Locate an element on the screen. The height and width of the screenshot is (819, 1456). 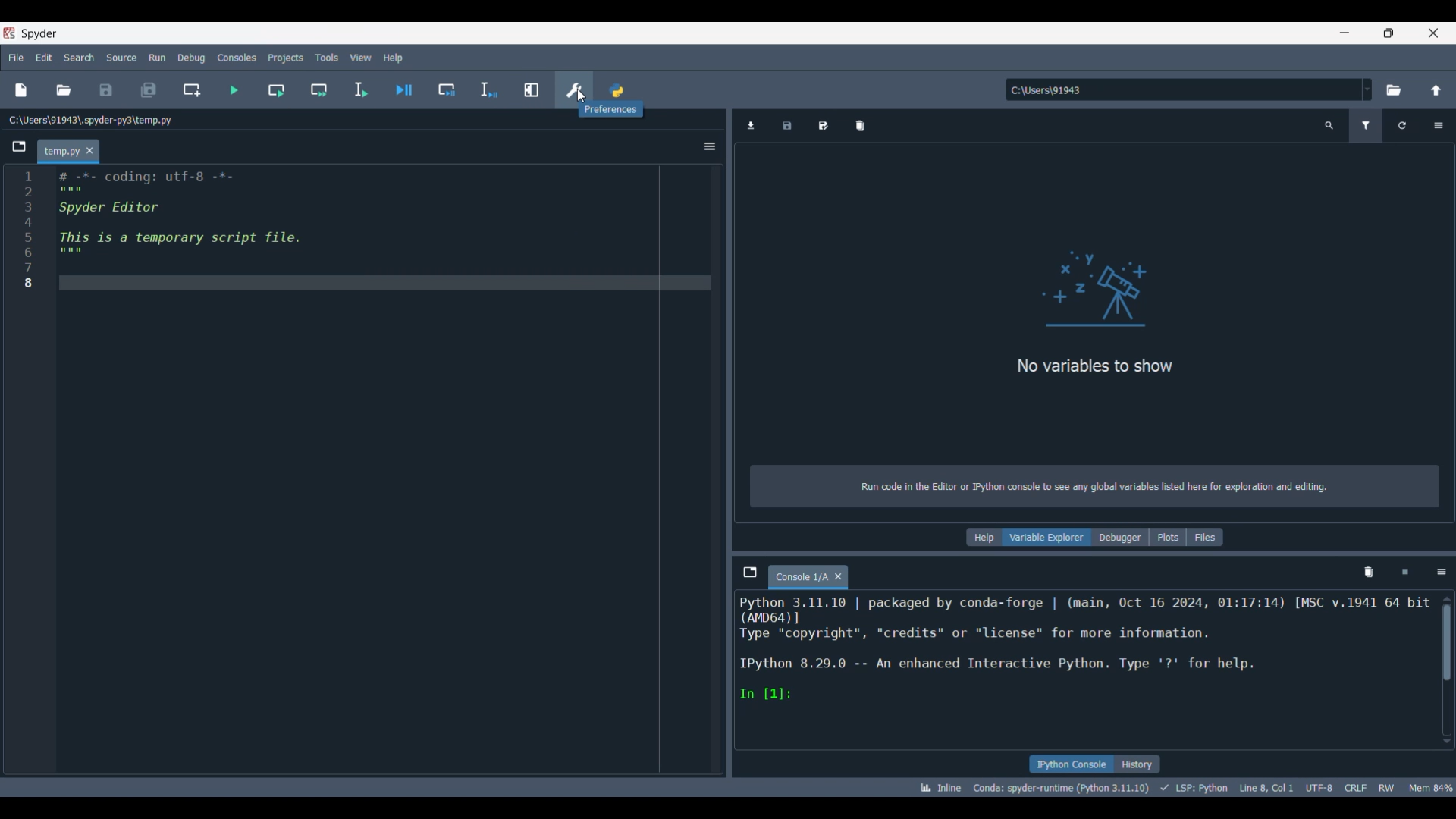
Files is located at coordinates (1205, 537).